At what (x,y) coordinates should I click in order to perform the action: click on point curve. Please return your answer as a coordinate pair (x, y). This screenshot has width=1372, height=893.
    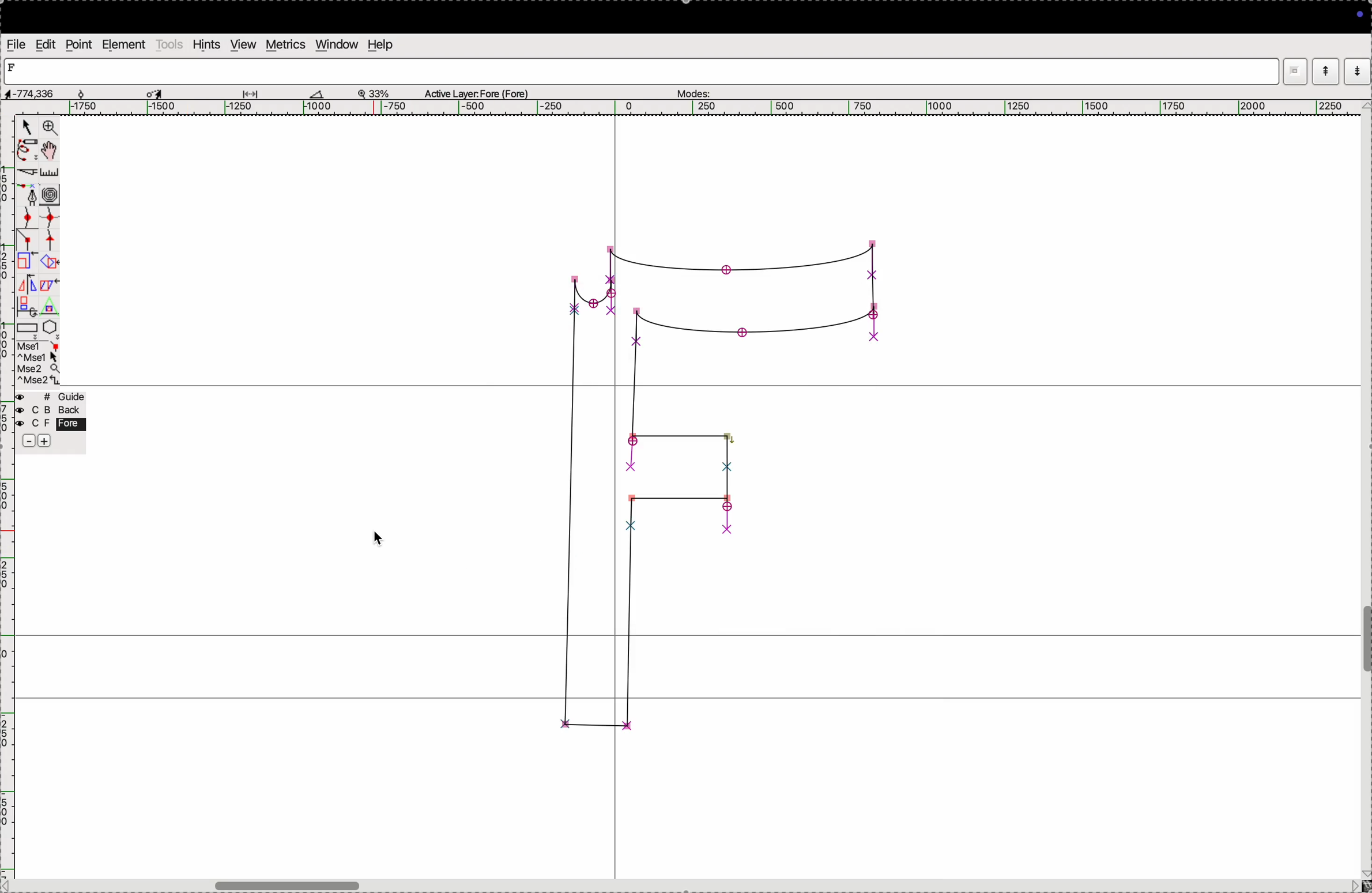
    Looking at the image, I should click on (29, 218).